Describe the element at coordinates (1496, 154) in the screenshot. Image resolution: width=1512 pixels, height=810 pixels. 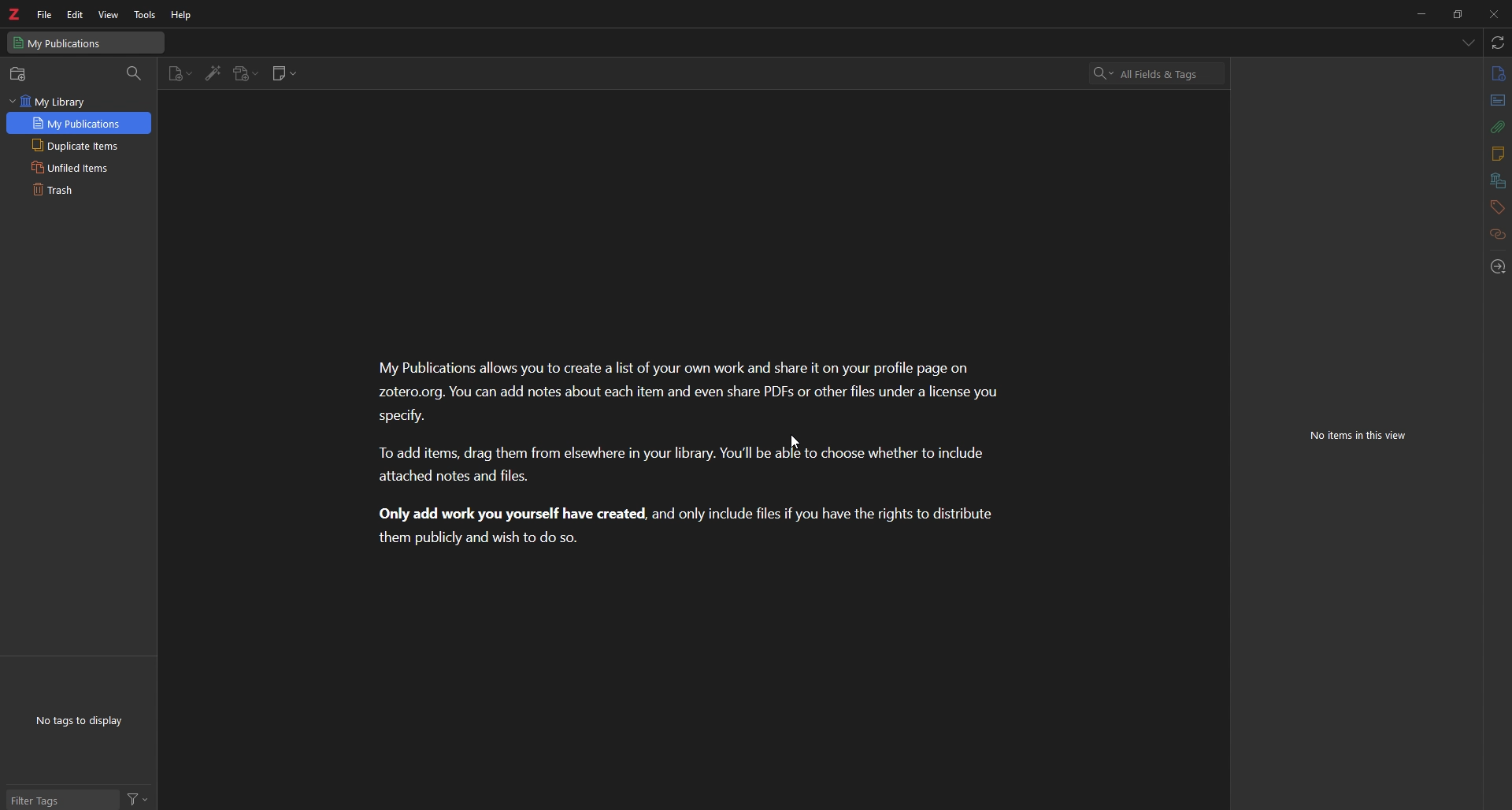
I see `notes` at that location.